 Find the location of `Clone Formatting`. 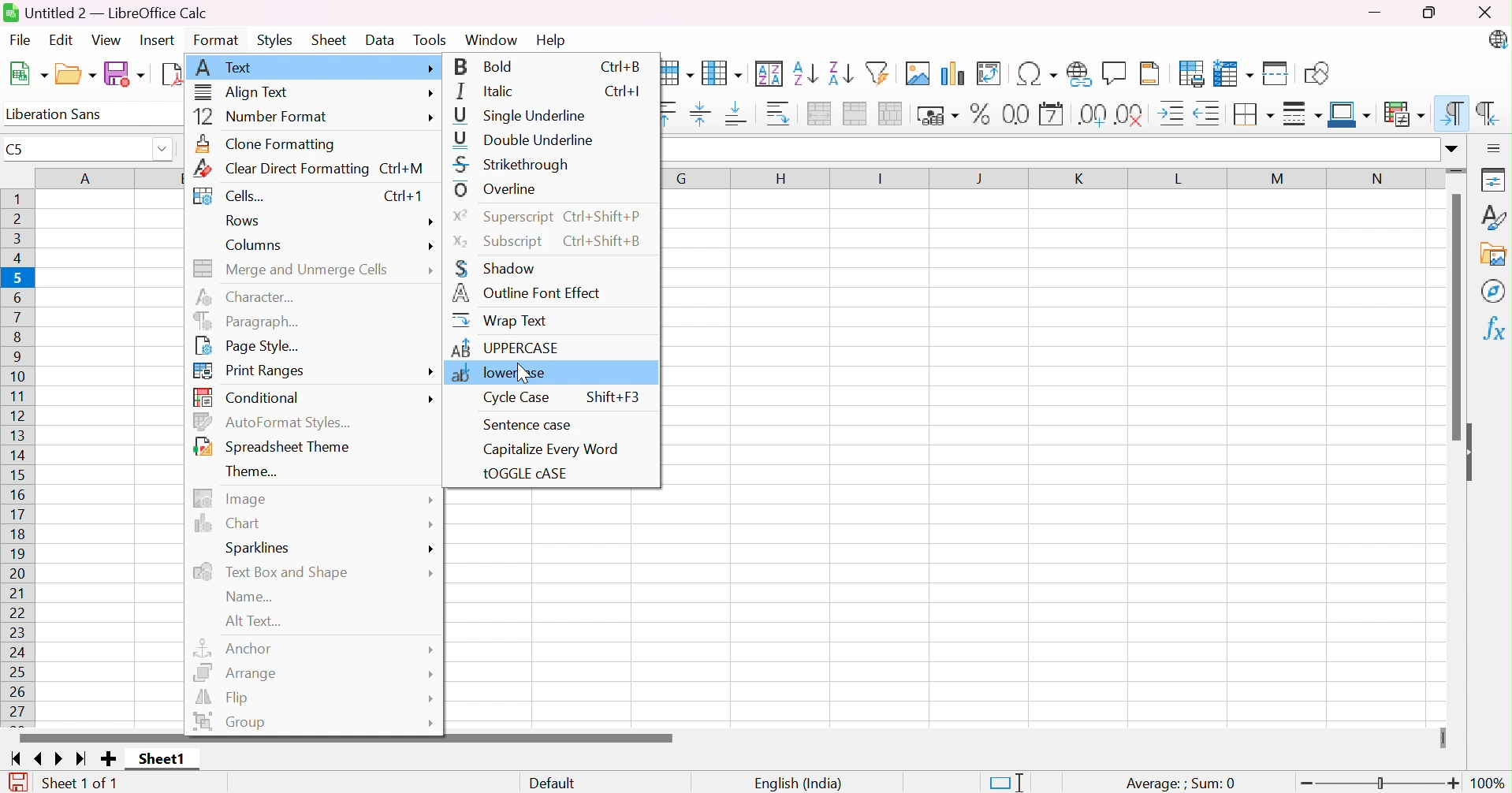

Clone Formatting is located at coordinates (266, 142).